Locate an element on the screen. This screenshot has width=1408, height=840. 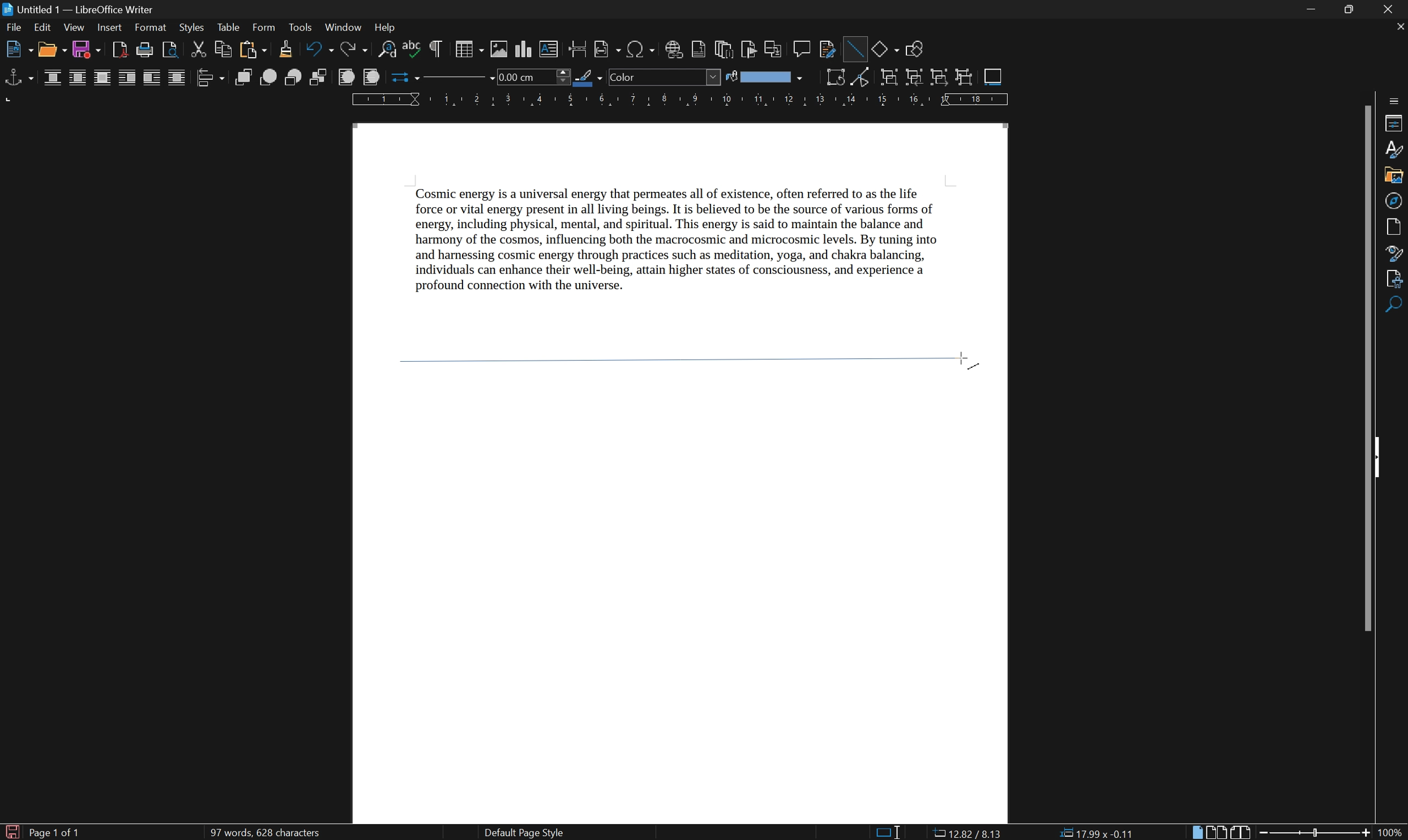
zoom out is located at coordinates (1265, 833).